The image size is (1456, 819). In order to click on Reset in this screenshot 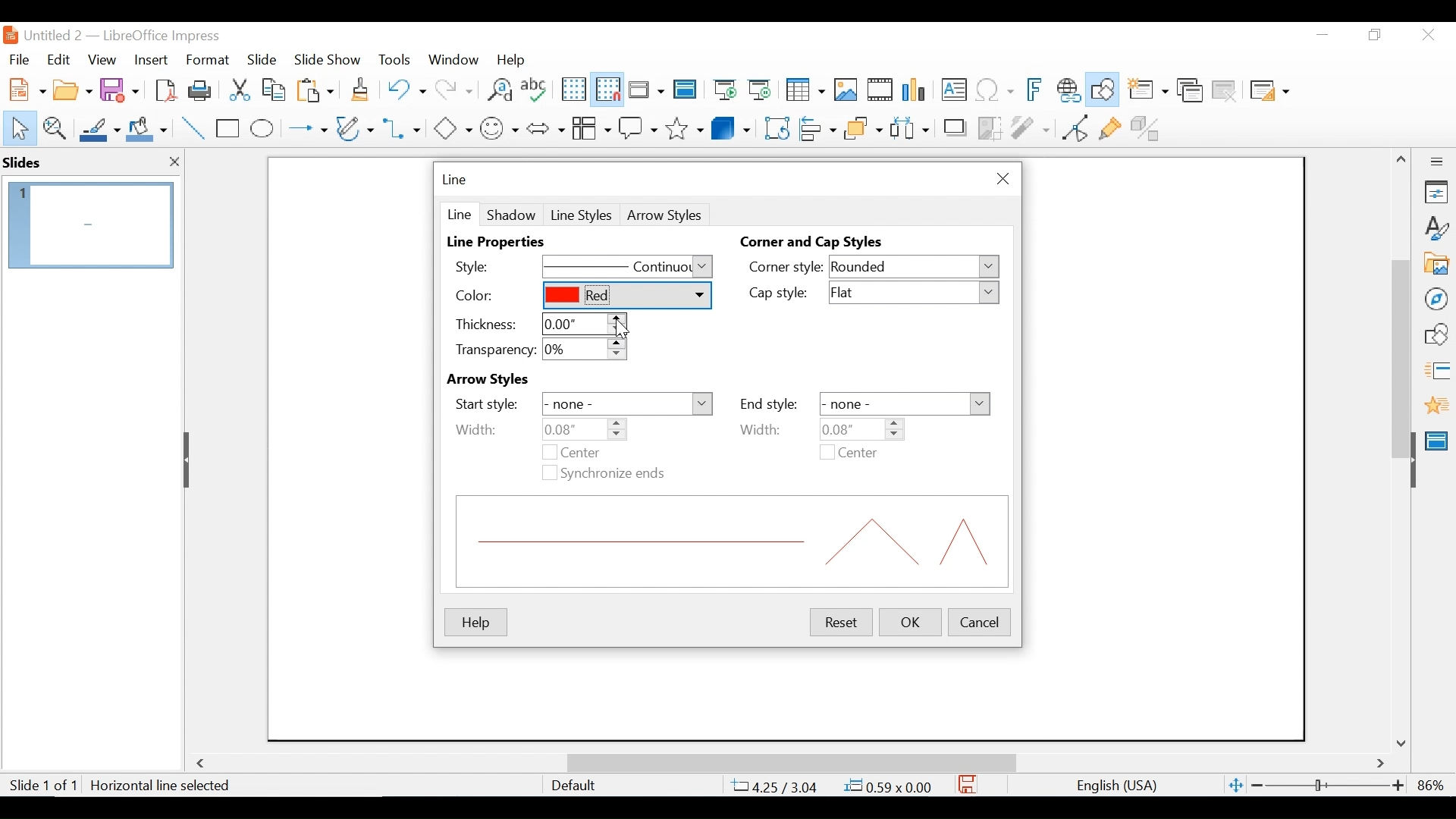, I will do `click(839, 622)`.